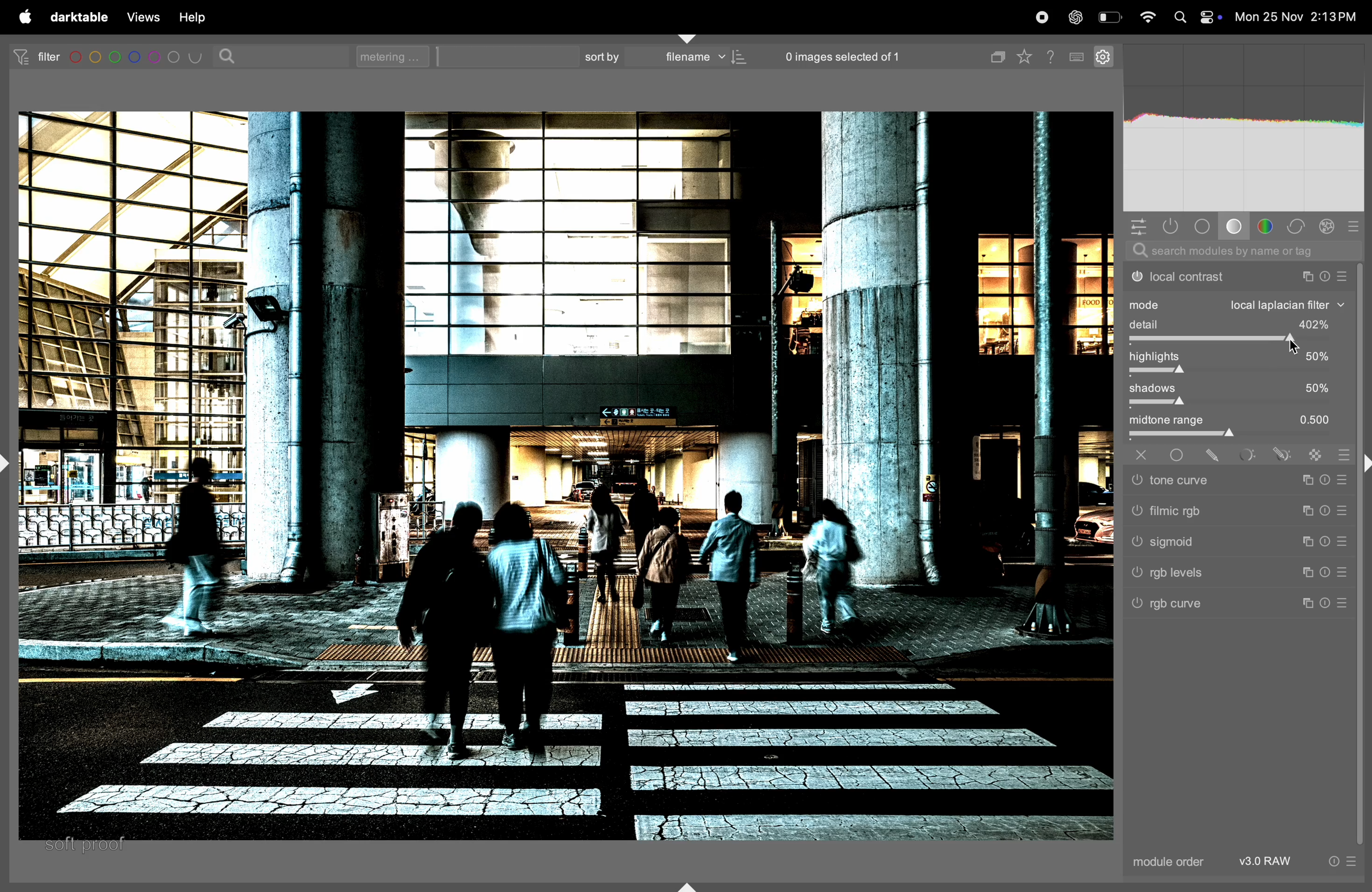  Describe the element at coordinates (559, 477) in the screenshot. I see `image` at that location.